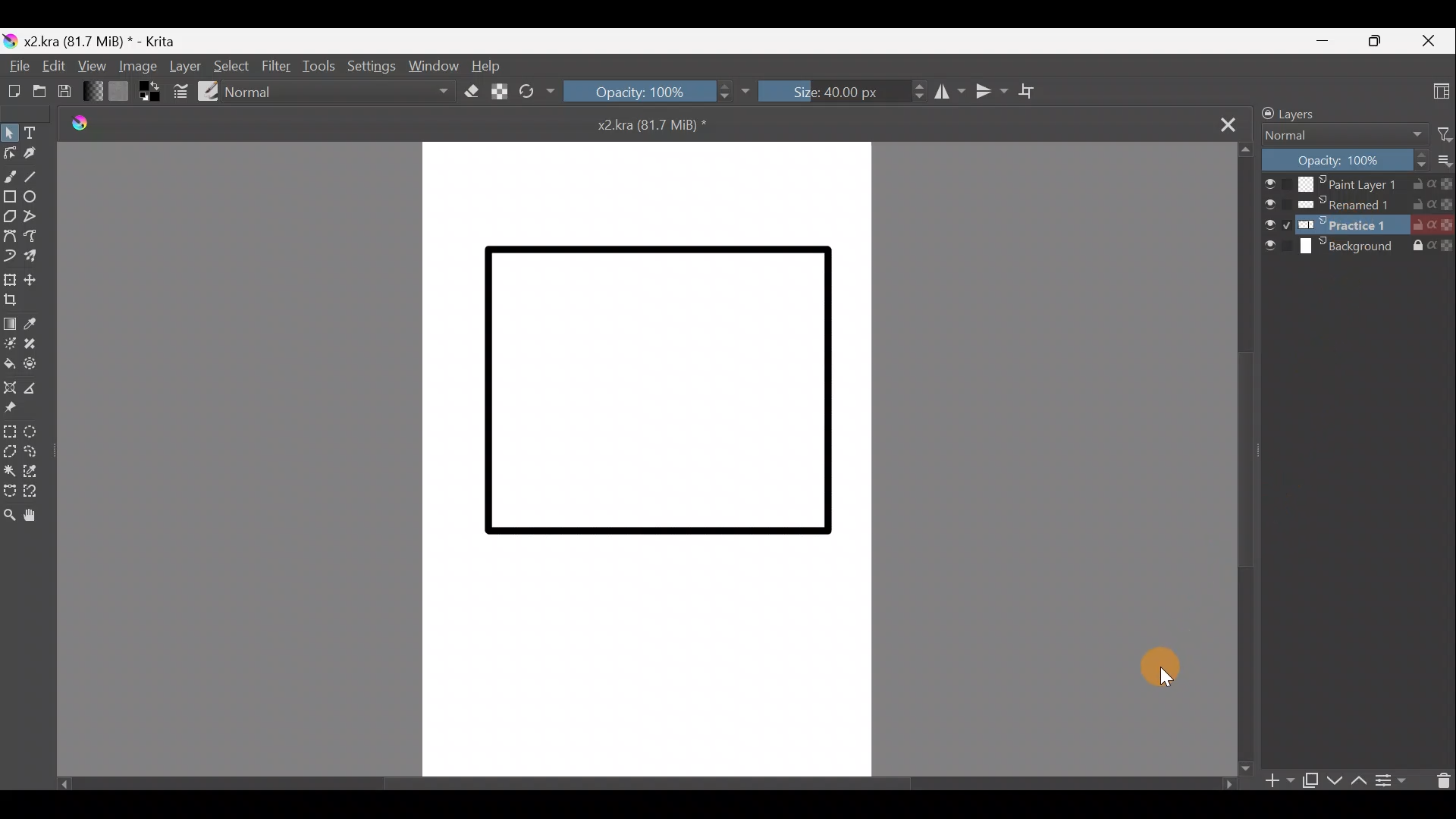 The height and width of the screenshot is (819, 1456). Describe the element at coordinates (10, 39) in the screenshot. I see `Krita logo` at that location.